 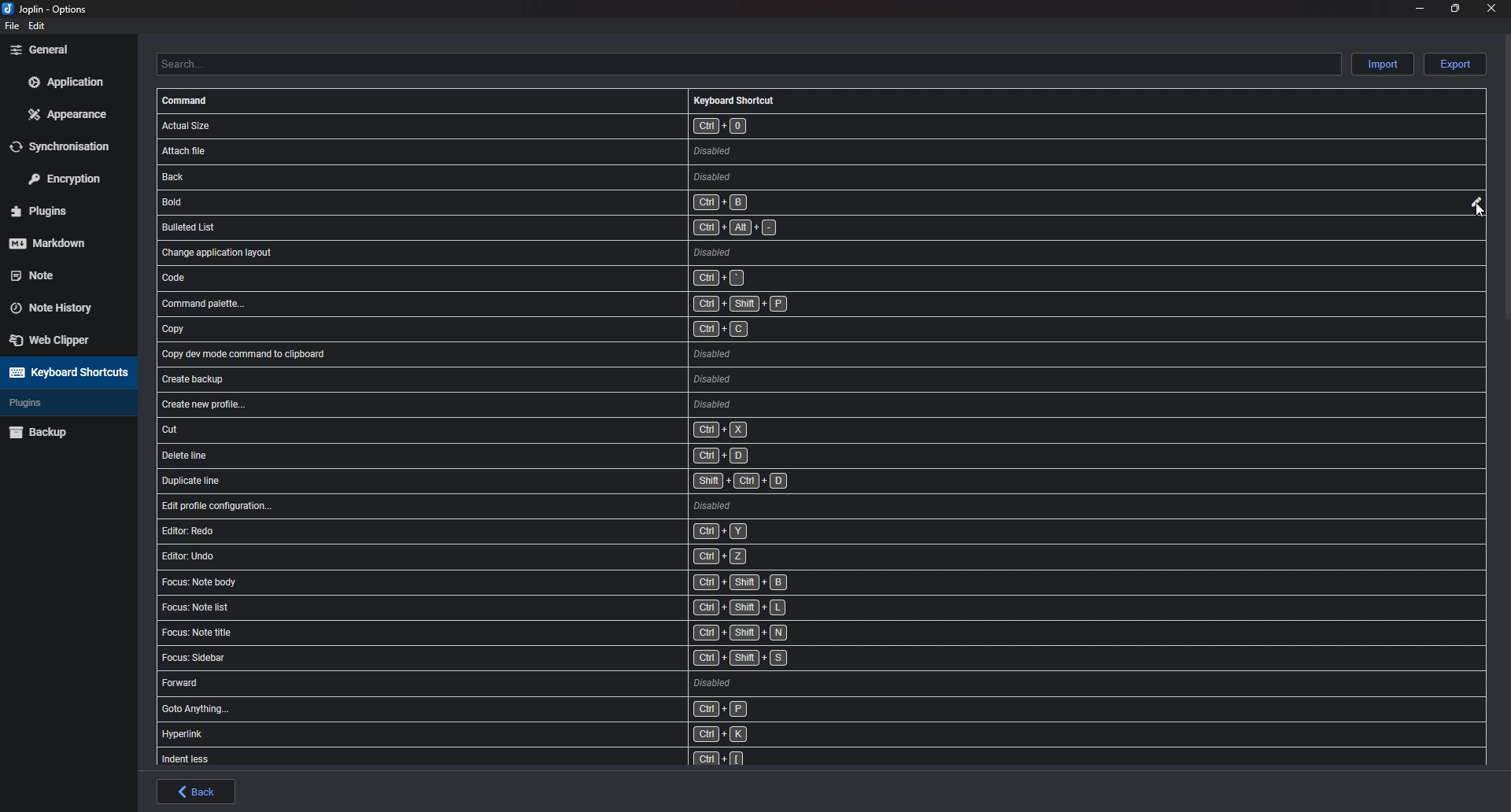 I want to click on shortcut, so click(x=525, y=252).